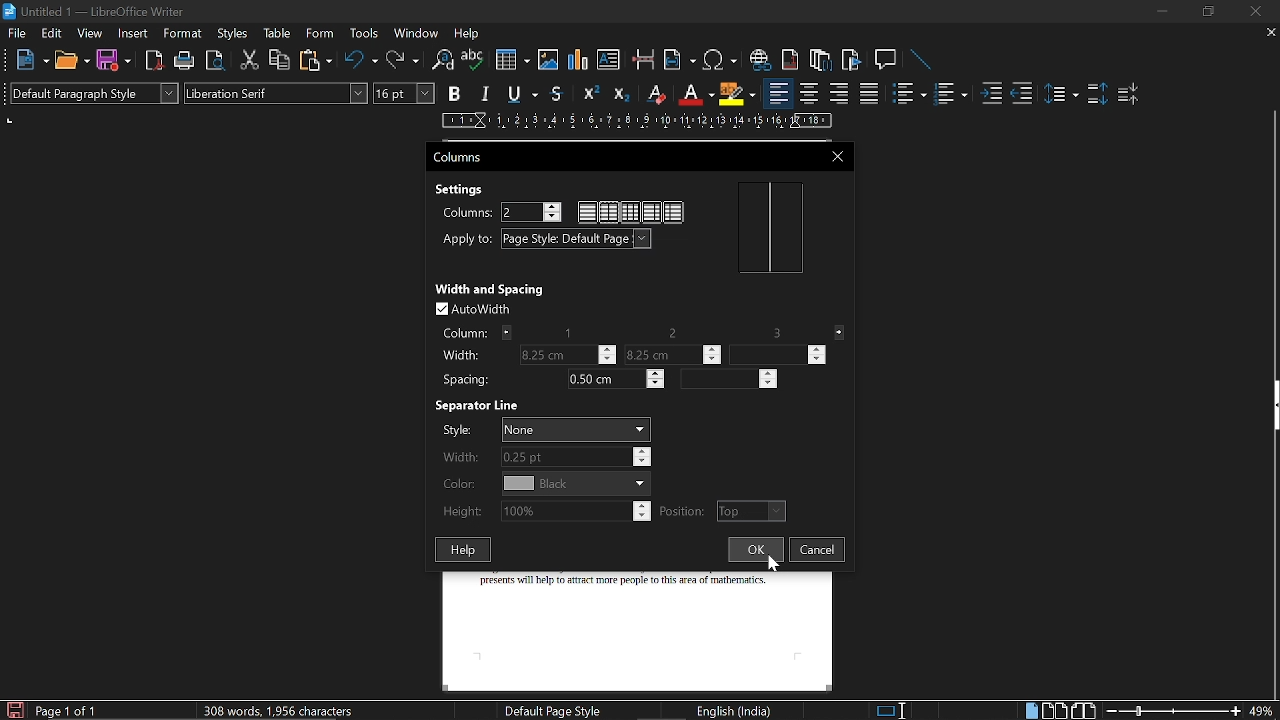 This screenshot has height=720, width=1280. Describe the element at coordinates (529, 211) in the screenshot. I see `Current number of columns` at that location.